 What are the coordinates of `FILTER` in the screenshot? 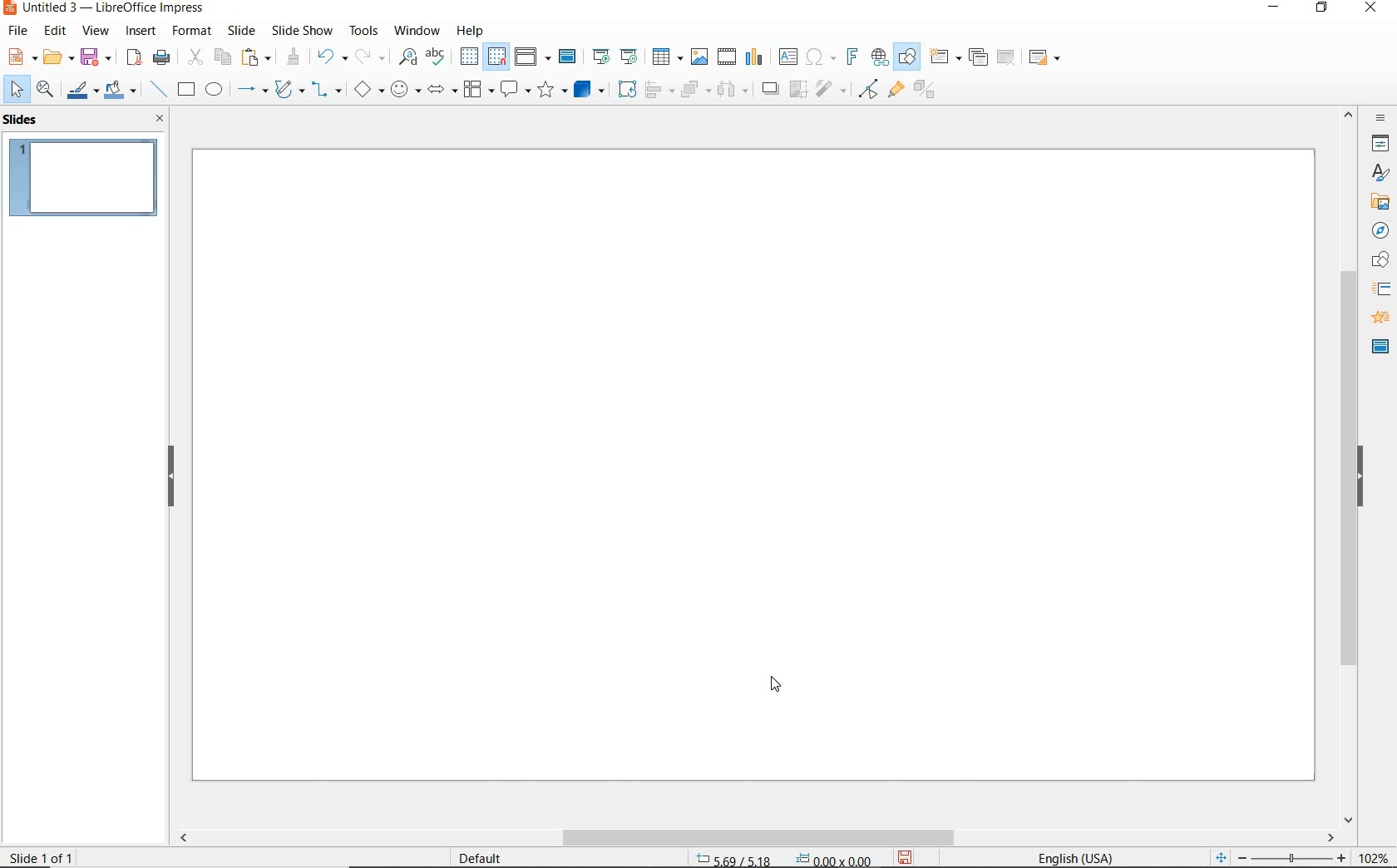 It's located at (831, 89).